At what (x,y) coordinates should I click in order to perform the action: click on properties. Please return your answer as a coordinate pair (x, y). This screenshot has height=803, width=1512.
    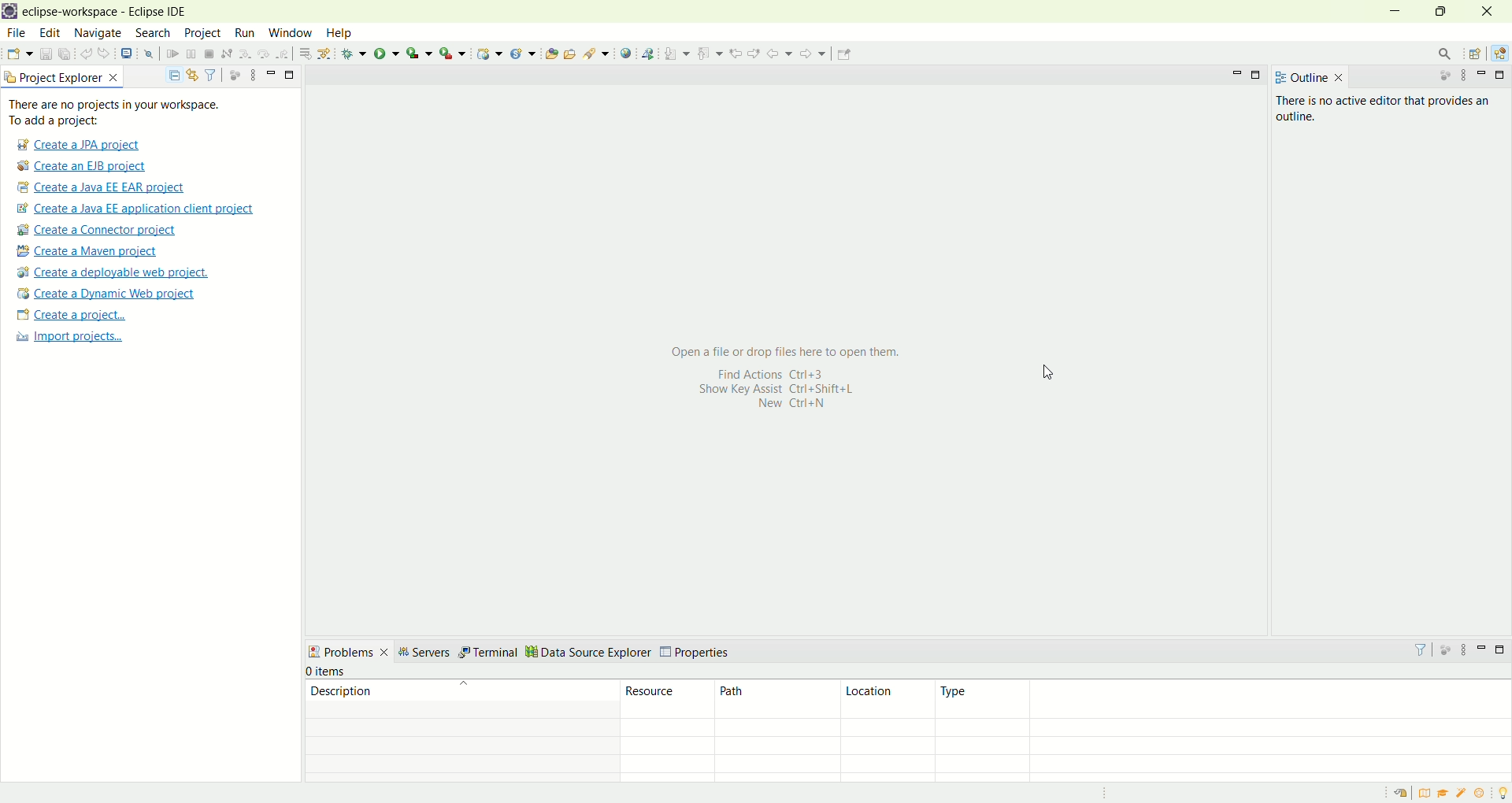
    Looking at the image, I should click on (698, 653).